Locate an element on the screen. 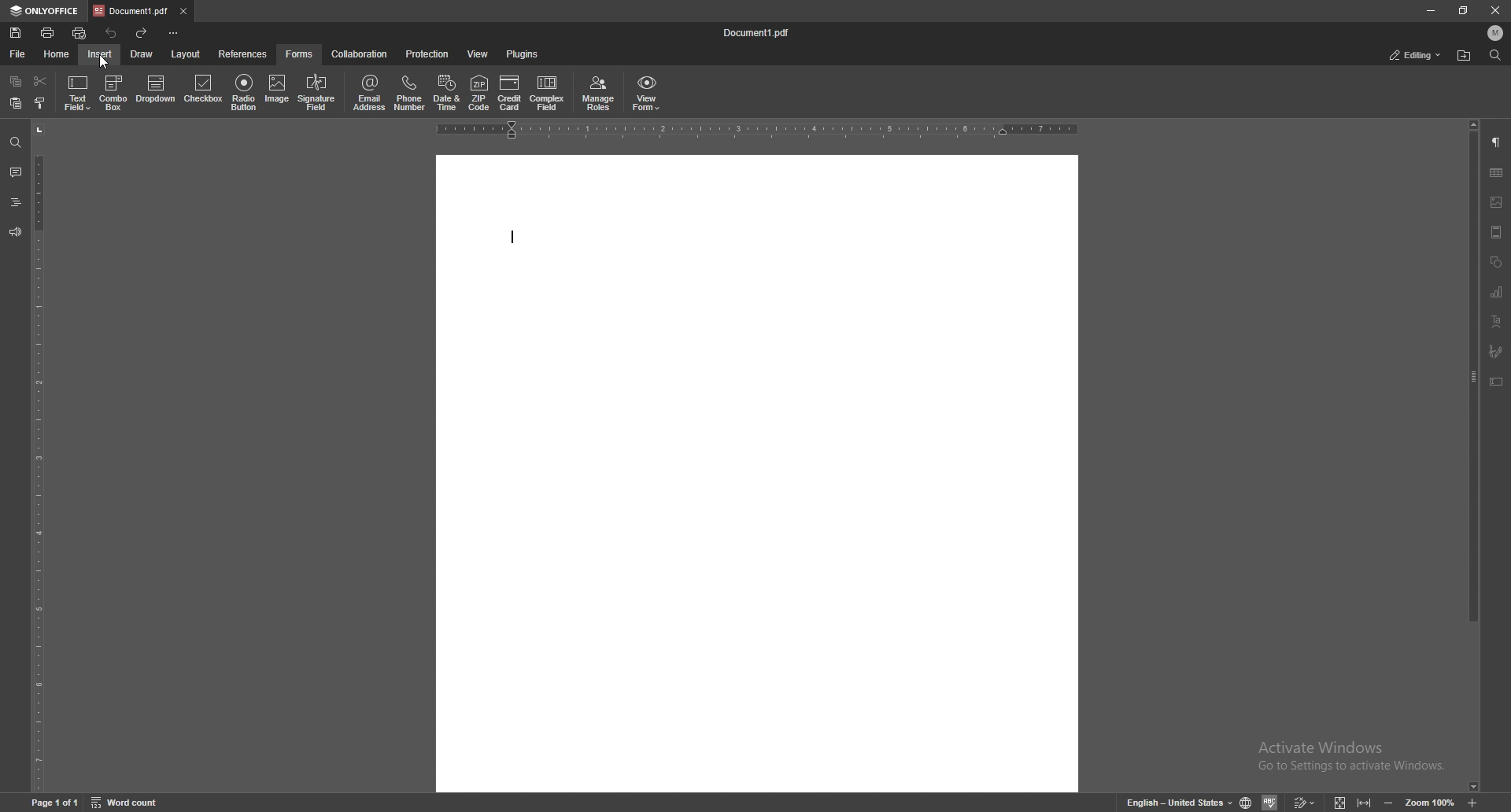 The width and height of the screenshot is (1511, 812). radio button is located at coordinates (242, 94).